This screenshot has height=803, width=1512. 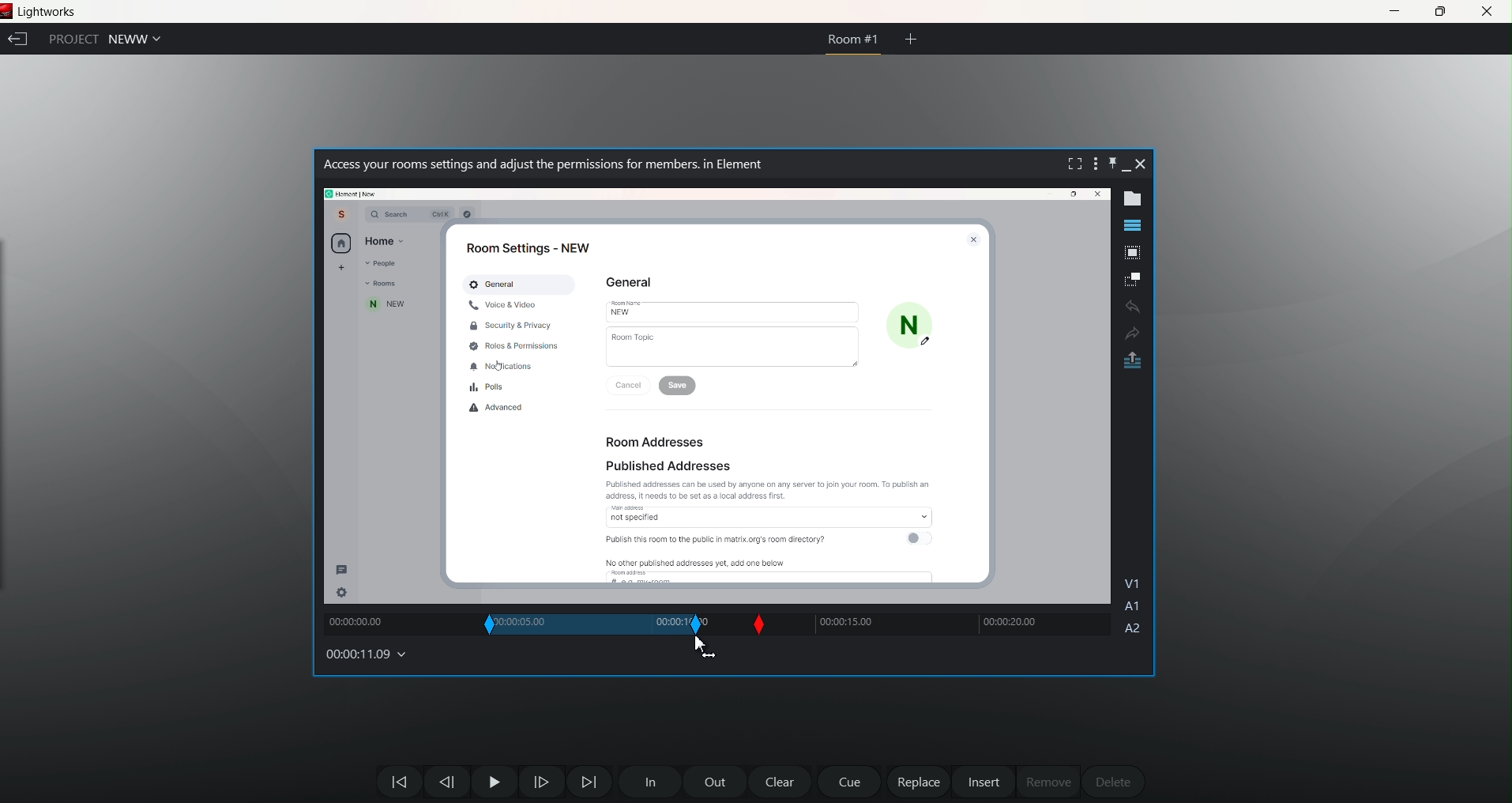 I want to click on ctrl k, so click(x=441, y=214).